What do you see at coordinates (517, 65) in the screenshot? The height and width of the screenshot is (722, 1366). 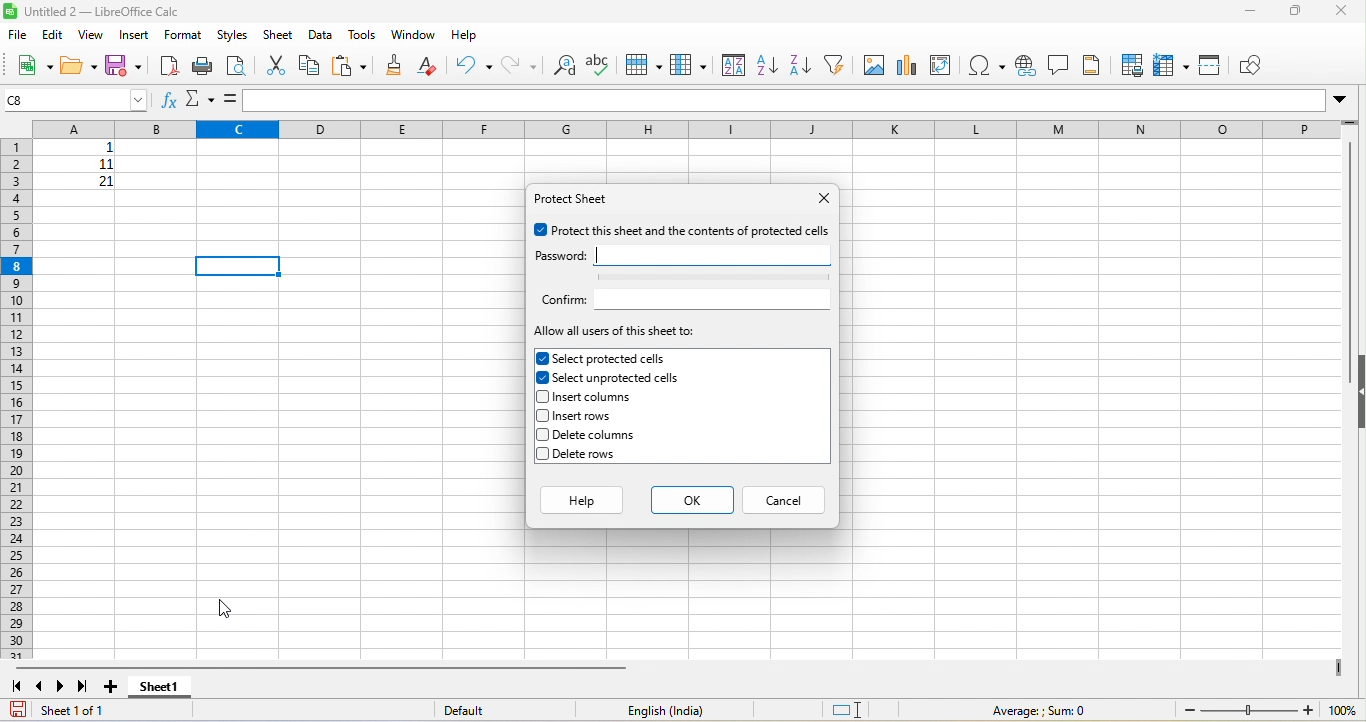 I see `redo` at bounding box center [517, 65].